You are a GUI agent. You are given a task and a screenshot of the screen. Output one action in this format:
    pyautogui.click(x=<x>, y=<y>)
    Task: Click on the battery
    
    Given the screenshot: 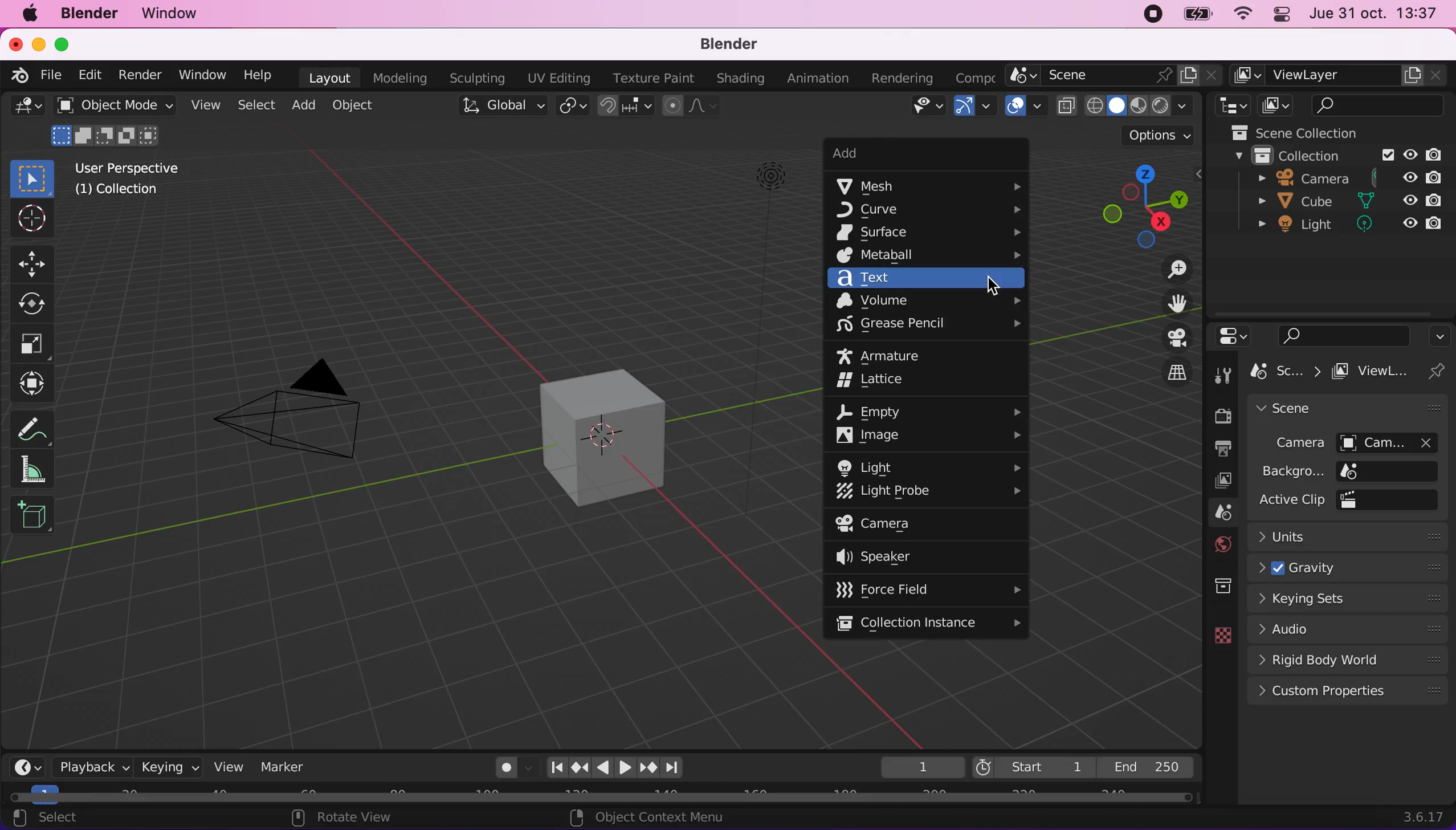 What is the action you would take?
    pyautogui.click(x=1194, y=14)
    